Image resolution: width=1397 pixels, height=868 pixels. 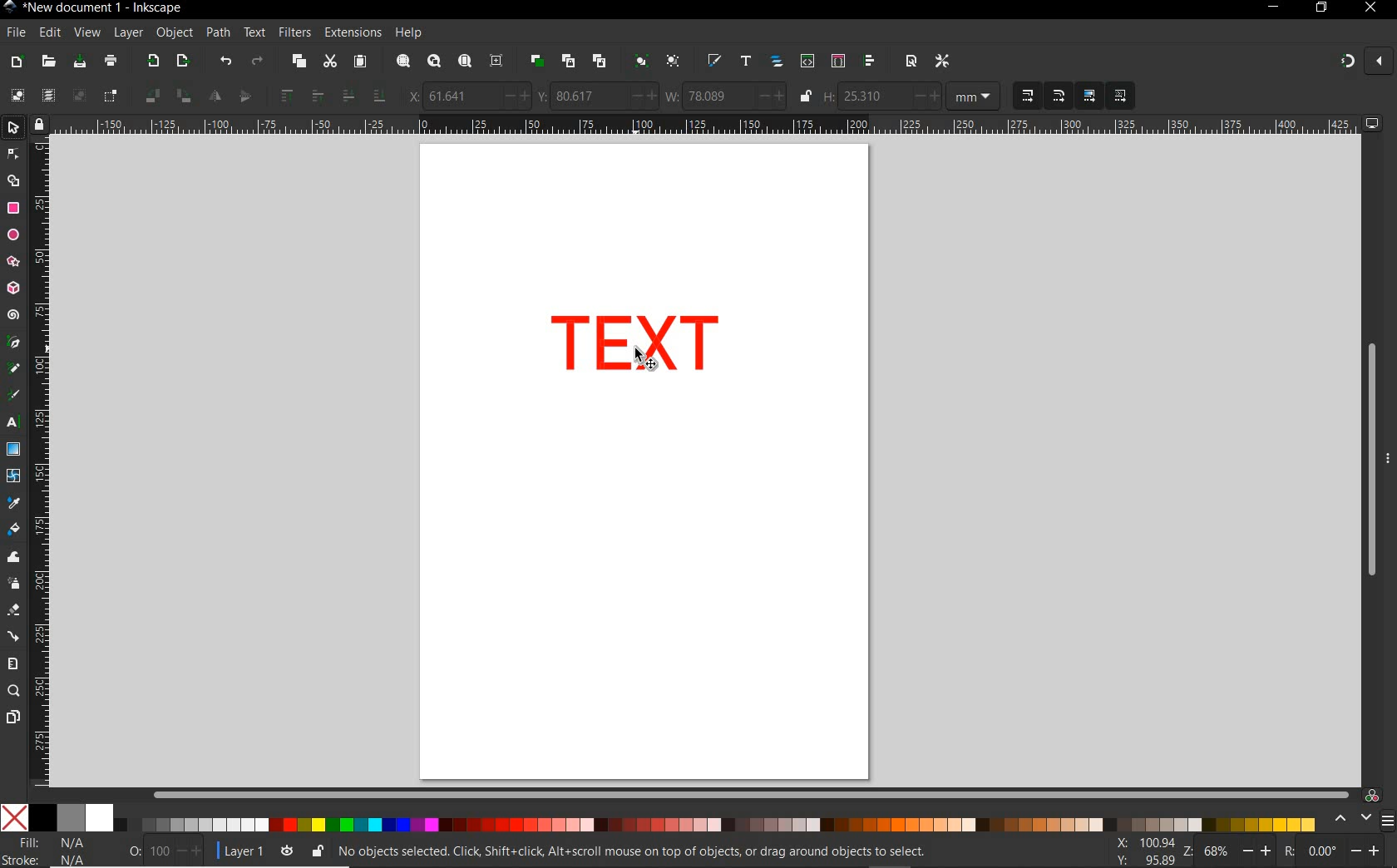 I want to click on mesh tool, so click(x=14, y=478).